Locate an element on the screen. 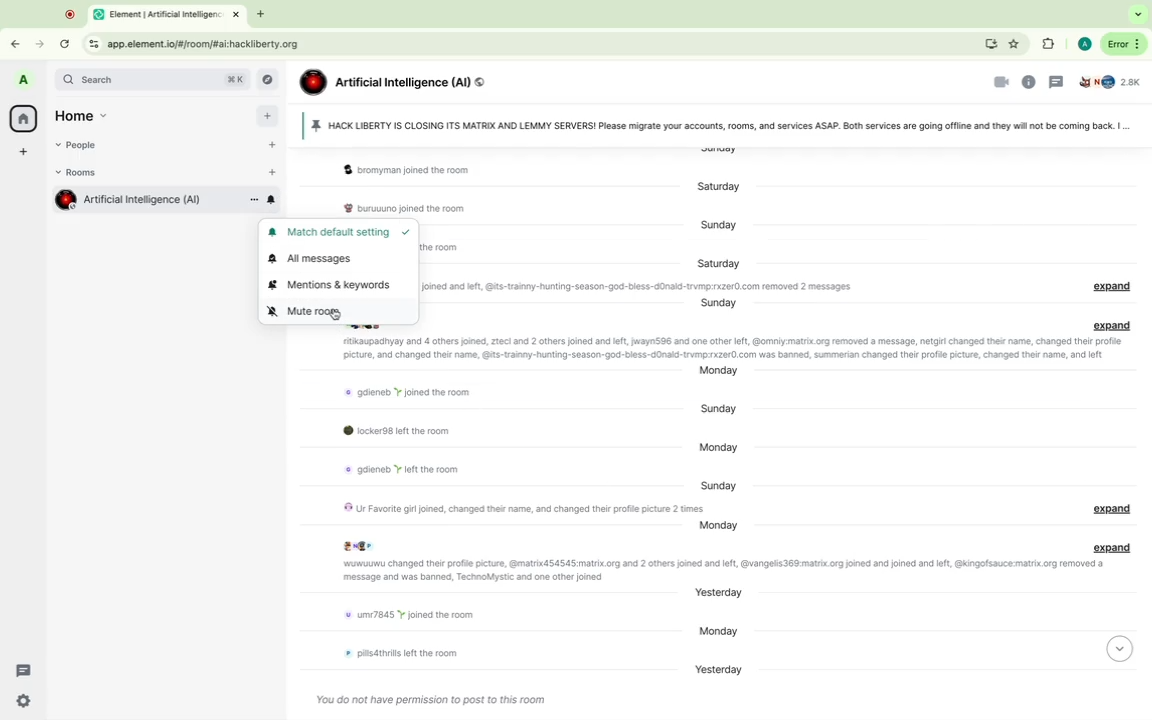 This screenshot has width=1152, height=720. Day is located at coordinates (722, 304).